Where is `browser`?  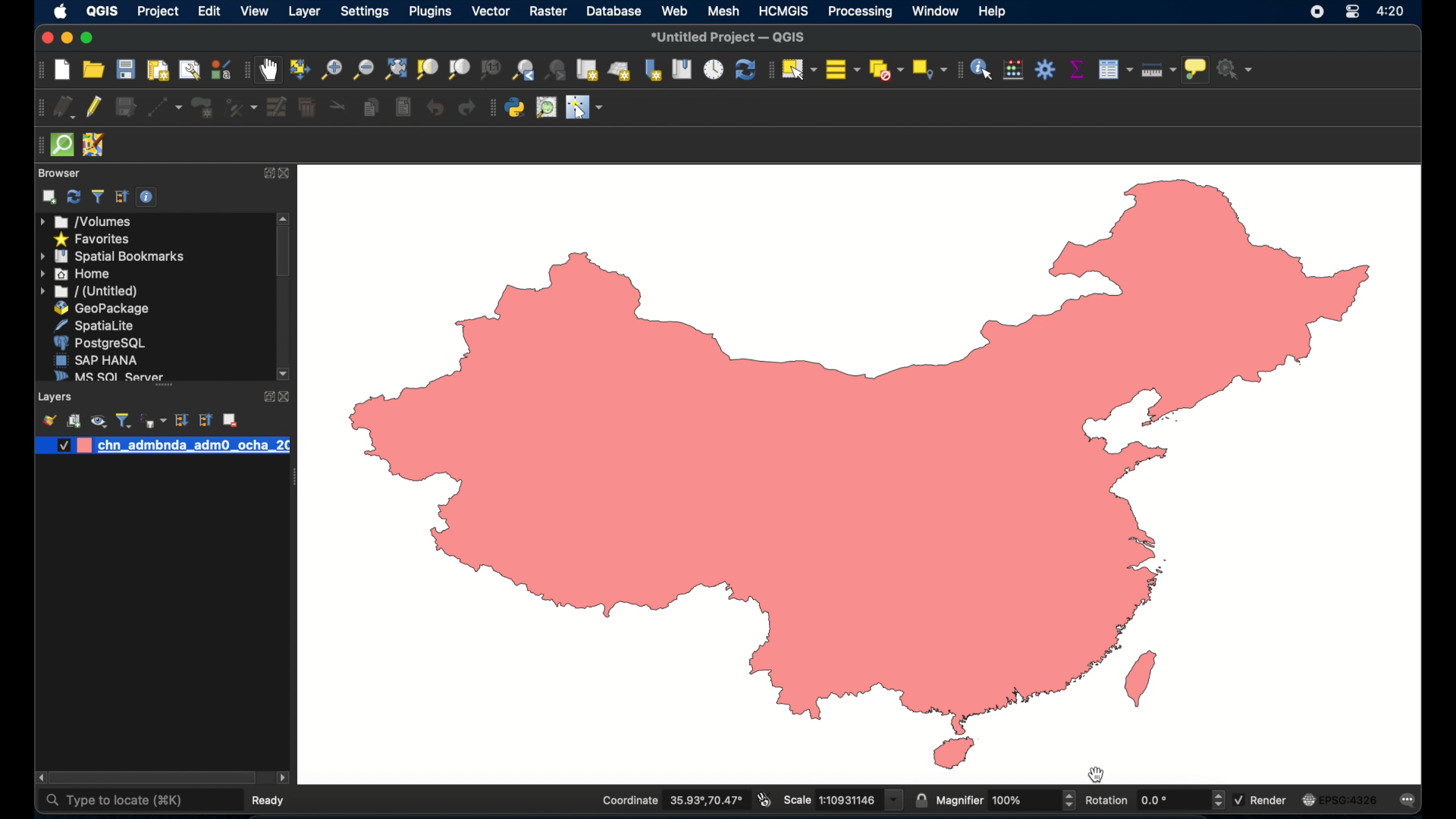 browser is located at coordinates (59, 173).